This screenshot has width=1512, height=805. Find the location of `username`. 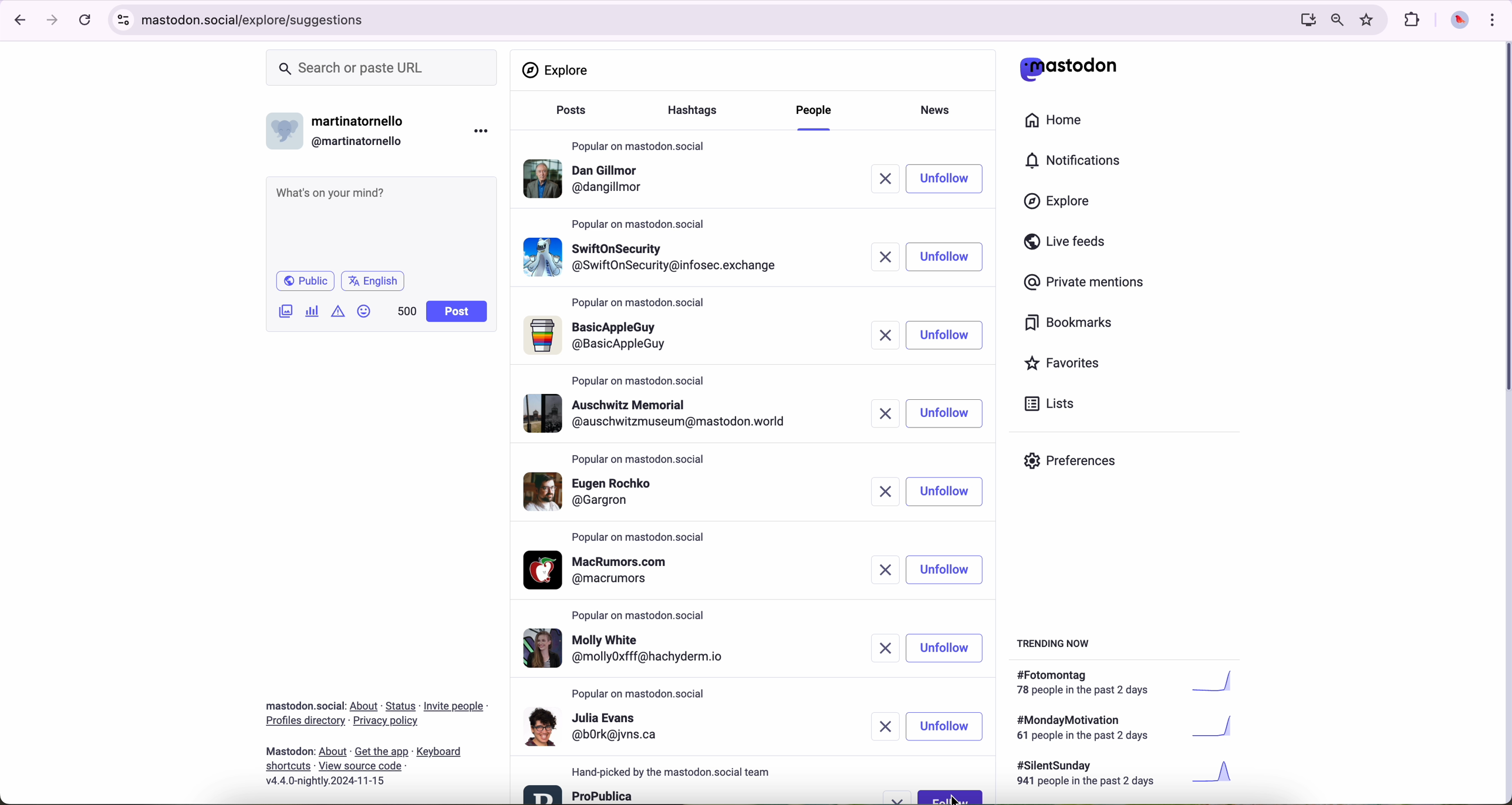

username is located at coordinates (341, 128).